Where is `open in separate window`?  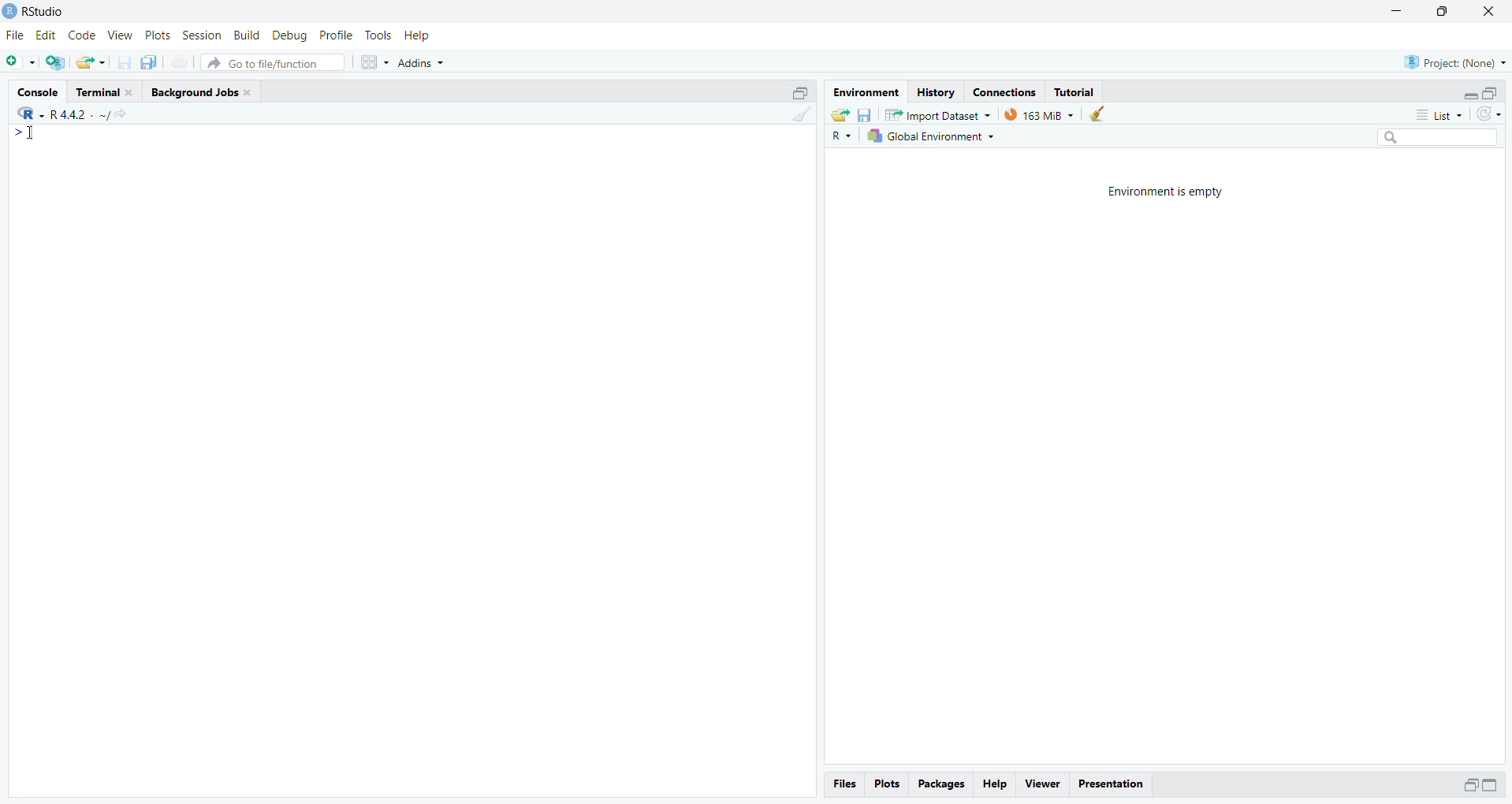 open in separate window is located at coordinates (802, 93).